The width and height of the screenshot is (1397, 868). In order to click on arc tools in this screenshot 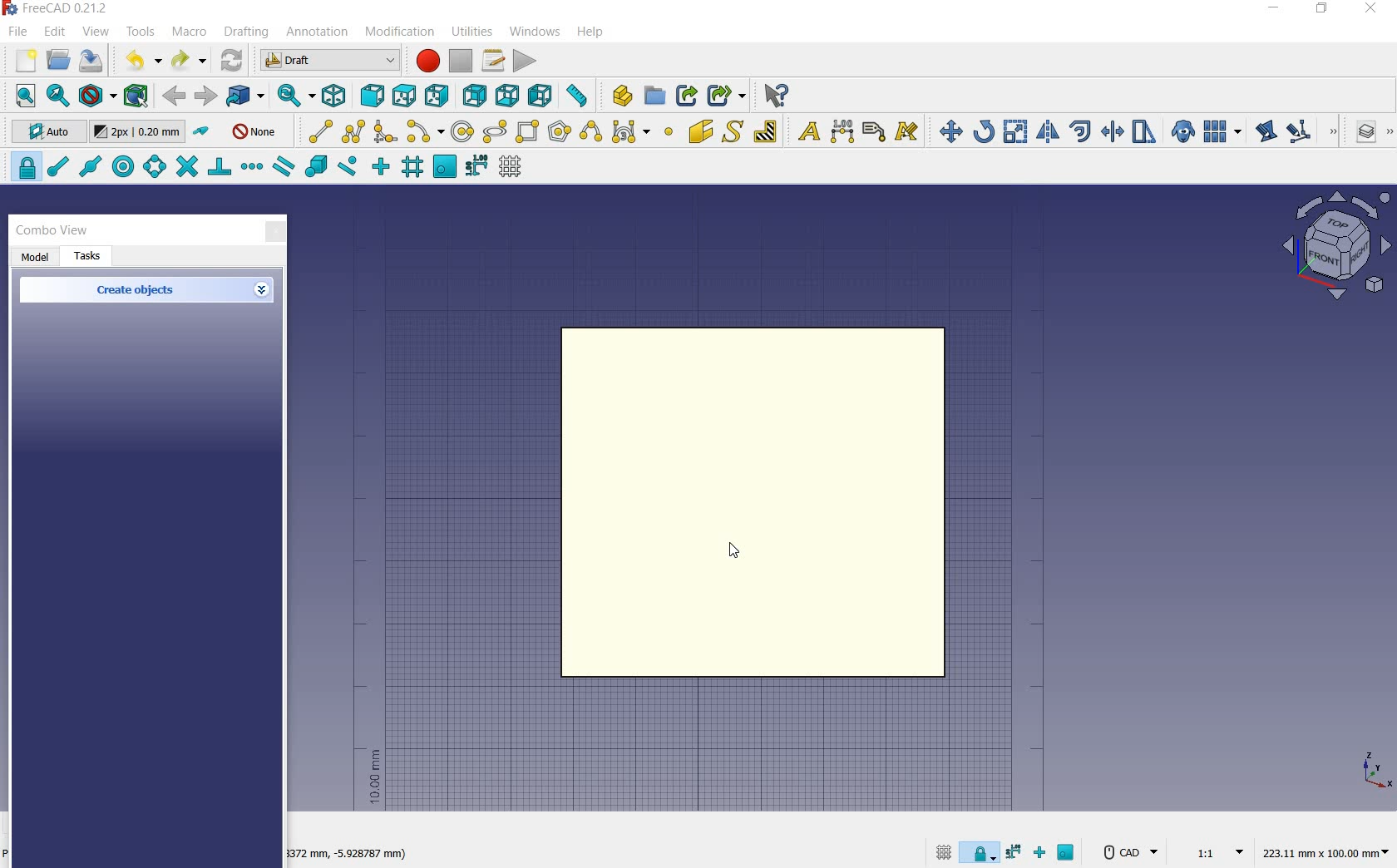, I will do `click(425, 132)`.